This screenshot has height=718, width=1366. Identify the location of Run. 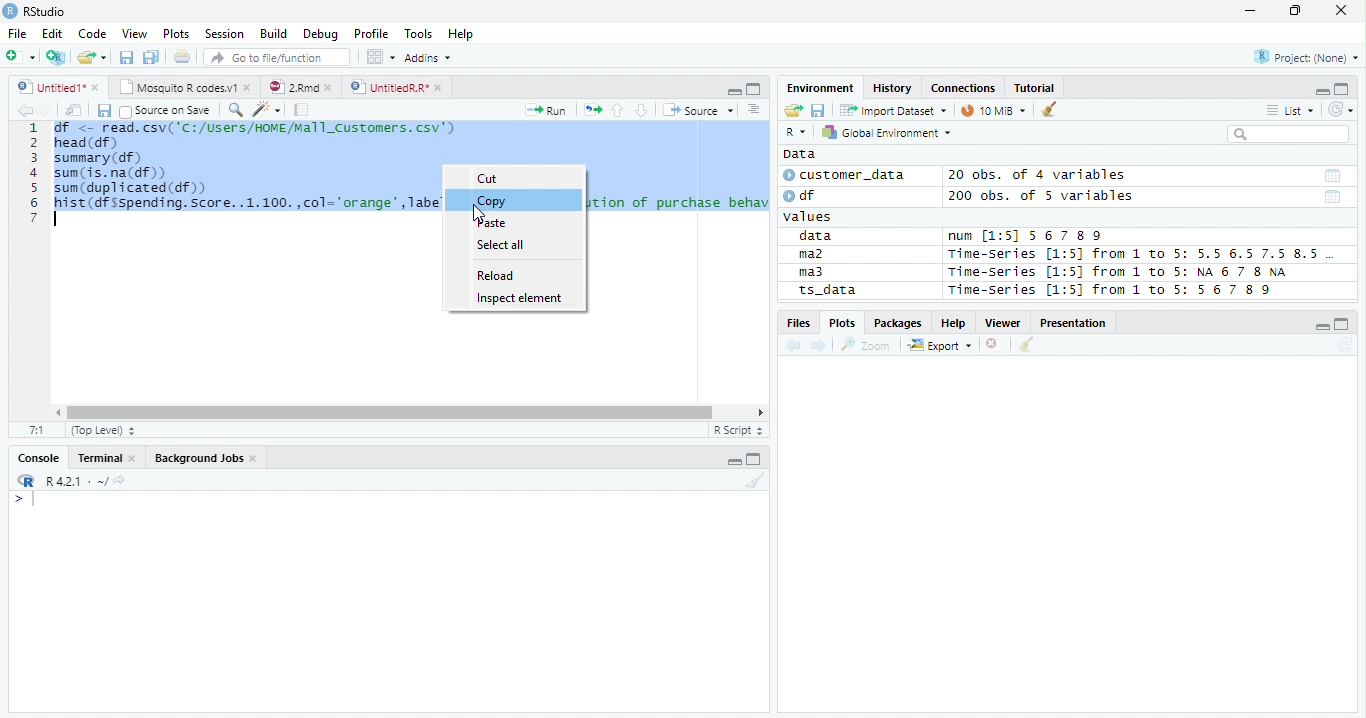
(548, 111).